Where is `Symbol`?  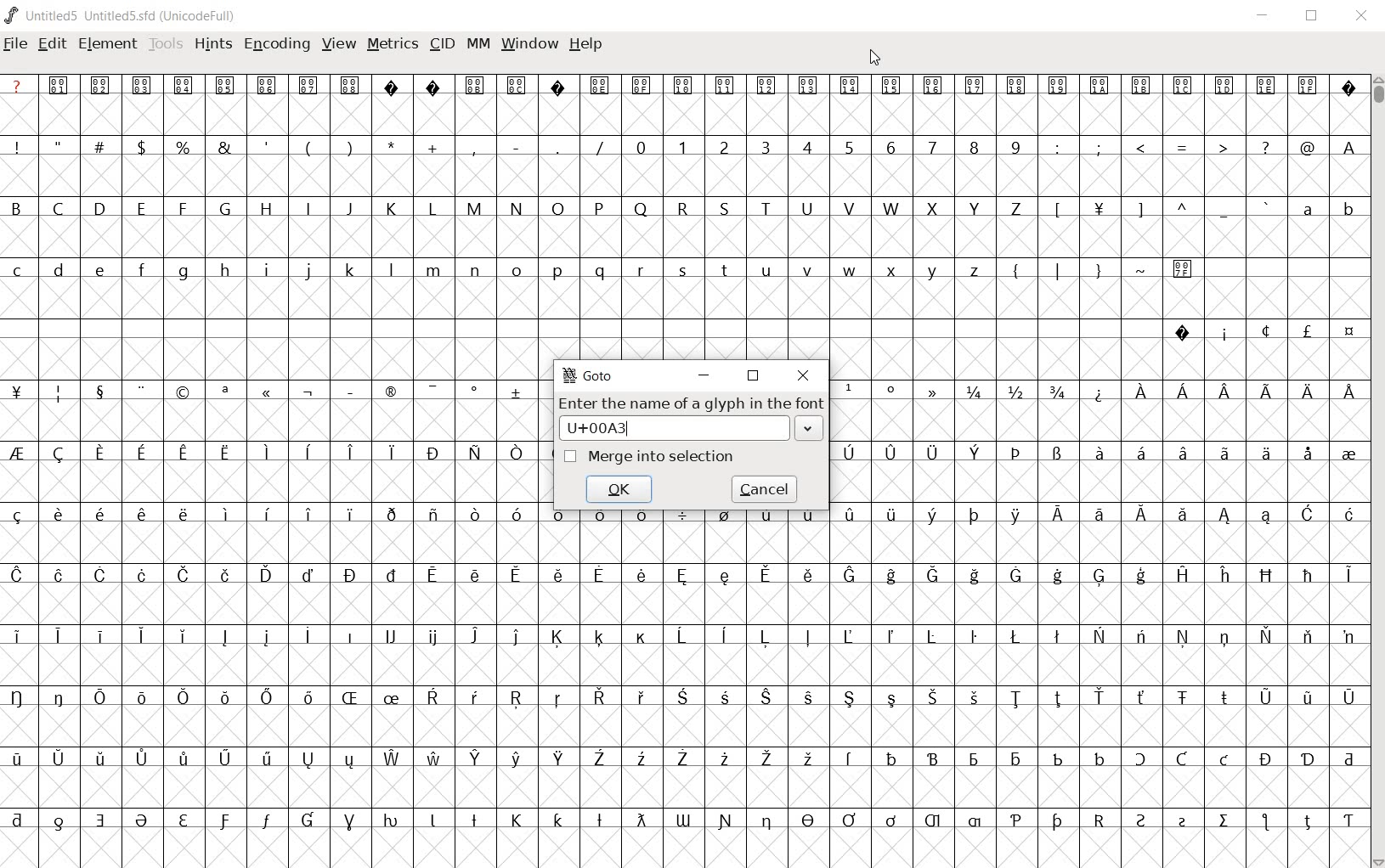 Symbol is located at coordinates (1138, 453).